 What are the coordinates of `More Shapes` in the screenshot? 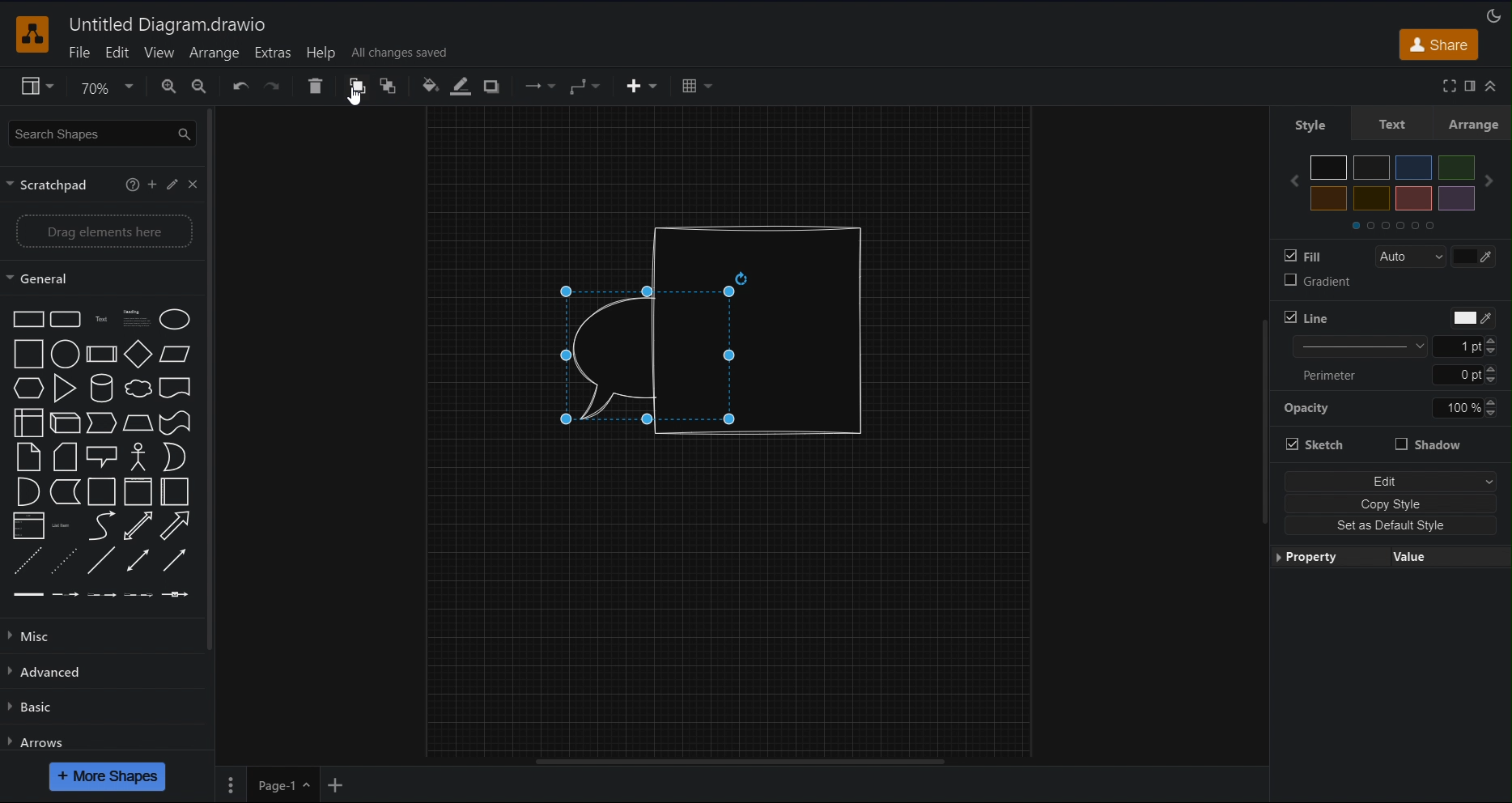 It's located at (108, 777).